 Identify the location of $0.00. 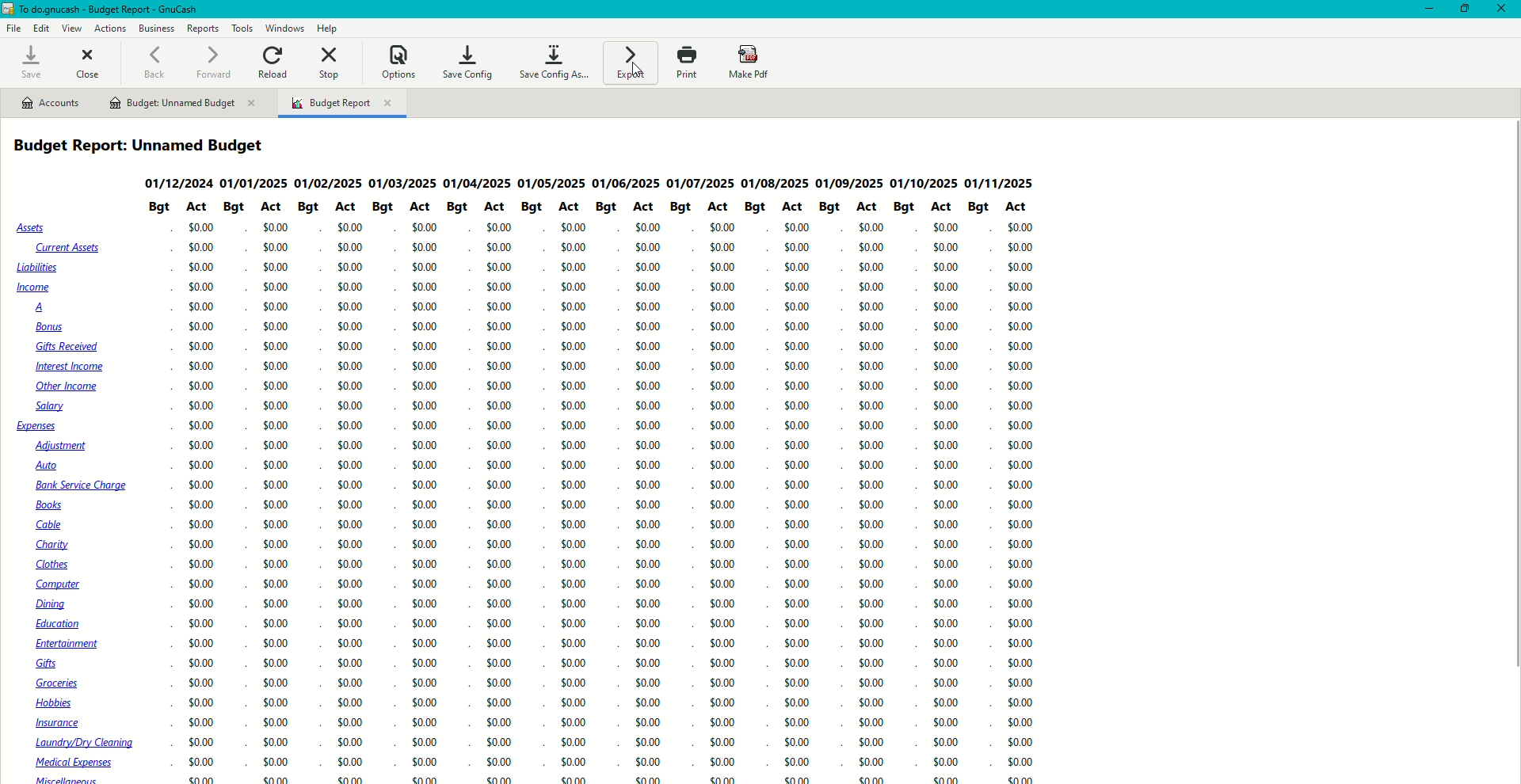
(650, 268).